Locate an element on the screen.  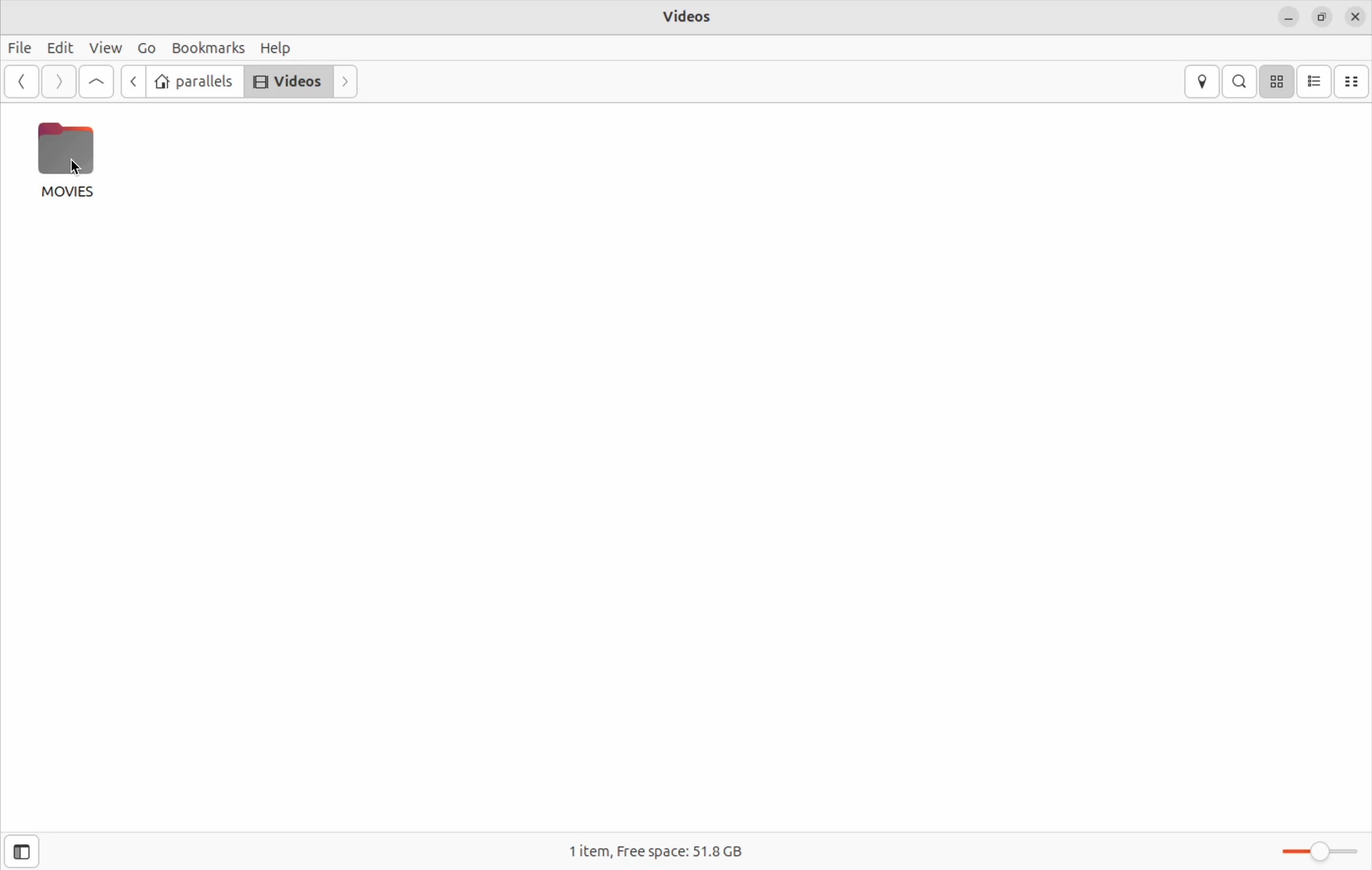
locations is located at coordinates (1203, 81).